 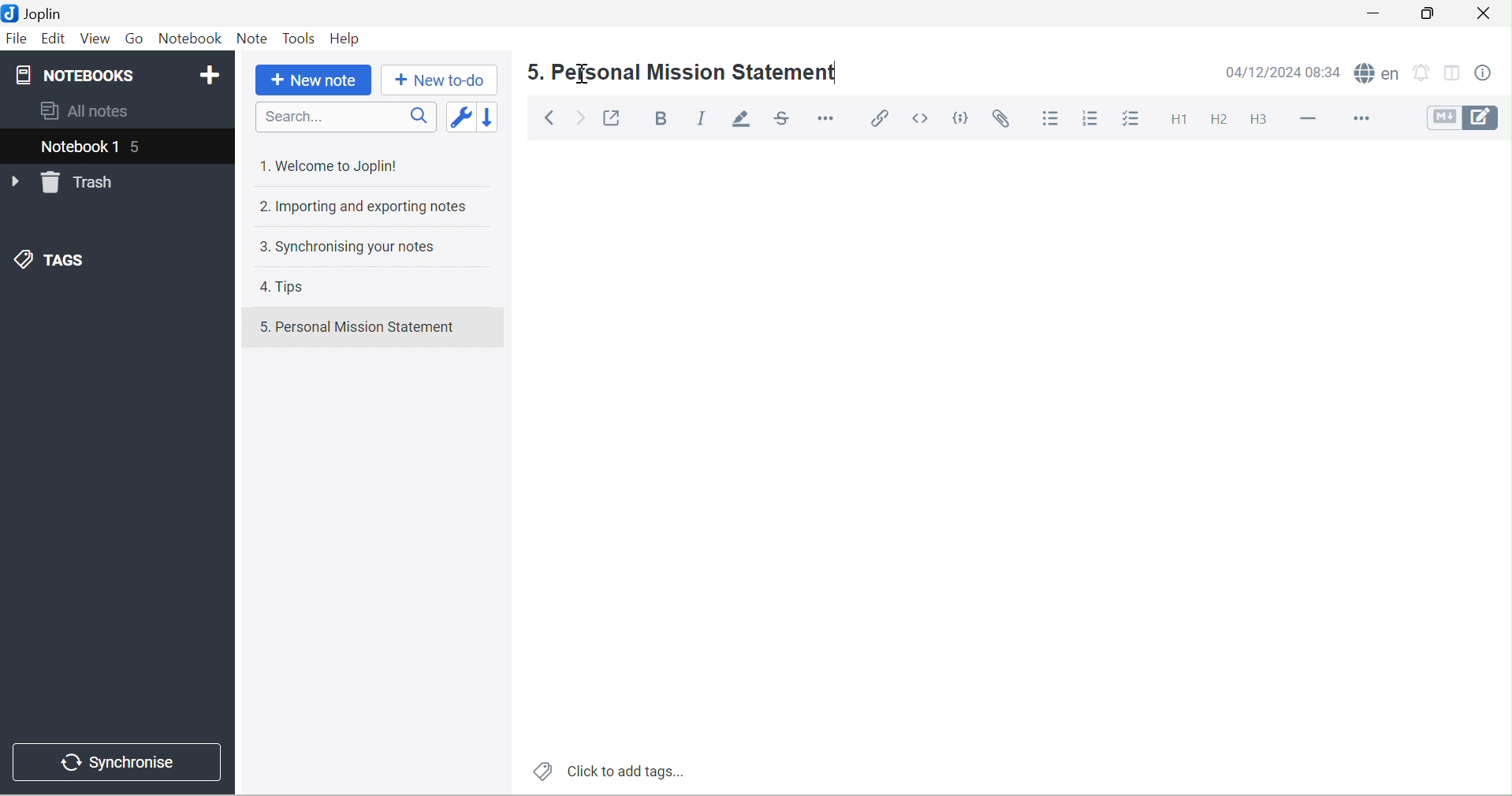 What do you see at coordinates (550, 117) in the screenshot?
I see `Back` at bounding box center [550, 117].